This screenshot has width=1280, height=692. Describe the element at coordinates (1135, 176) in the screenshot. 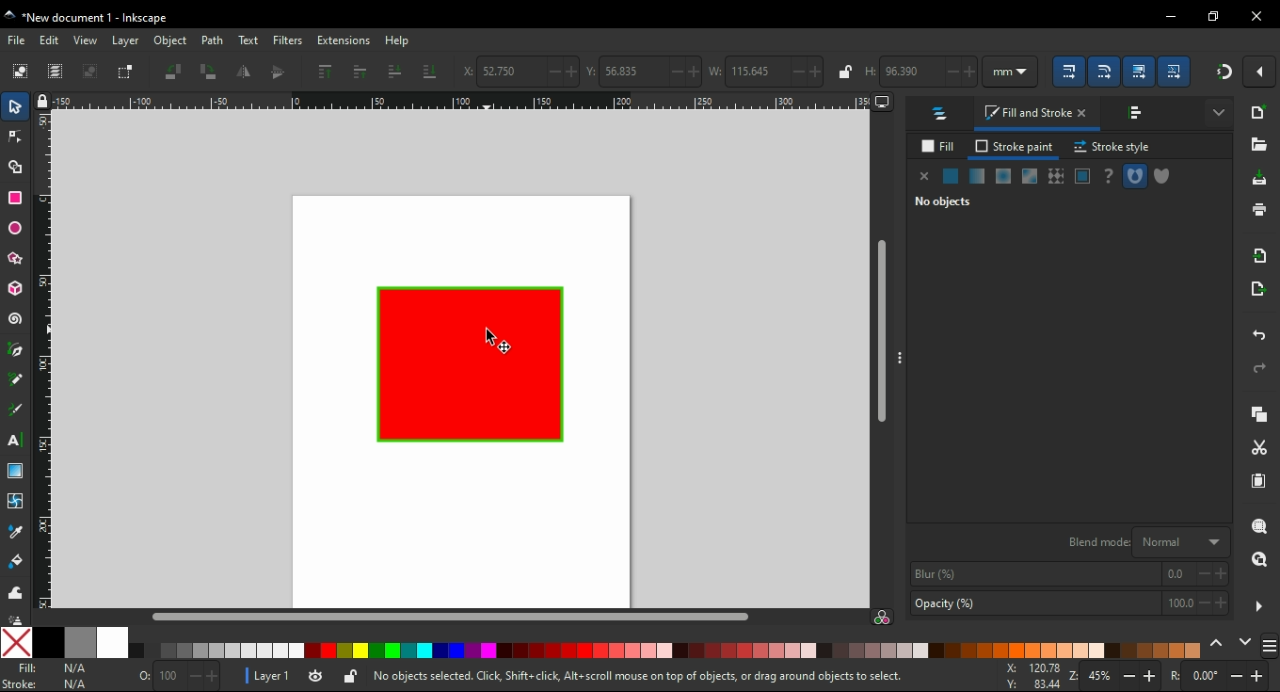

I see `fill rule` at that location.